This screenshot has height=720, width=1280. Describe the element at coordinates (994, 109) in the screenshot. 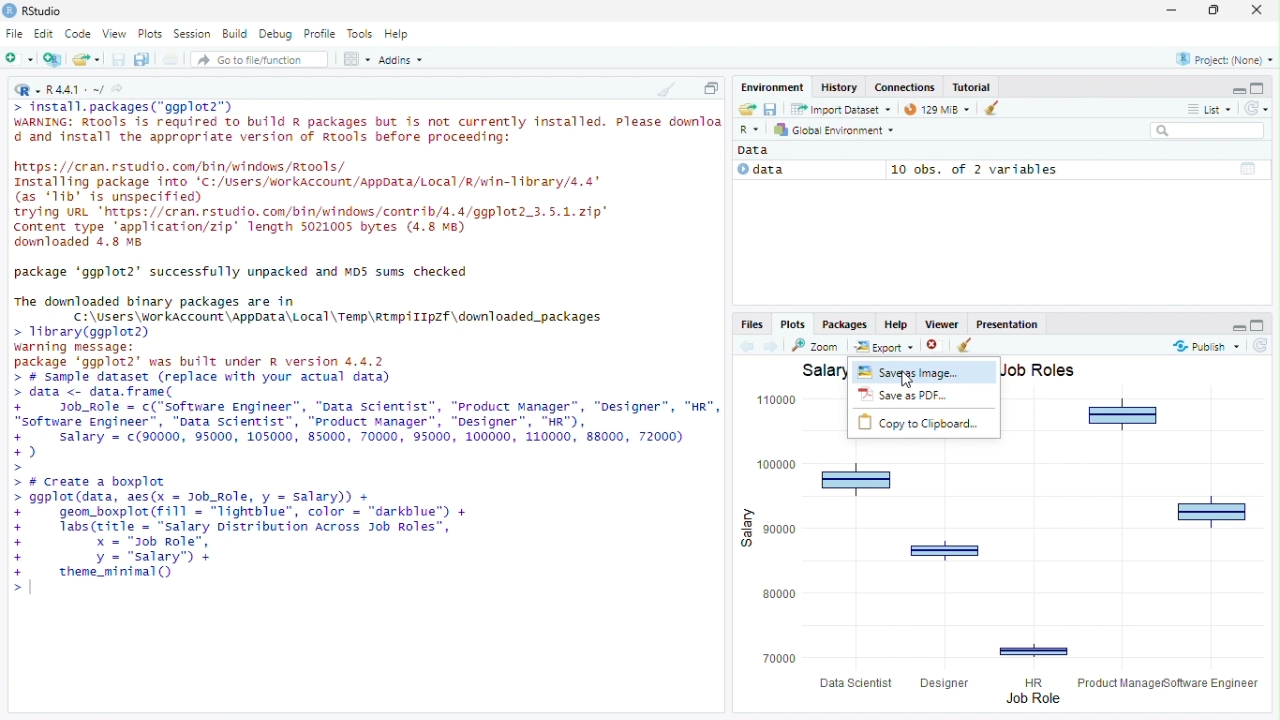

I see `Clear objects from the workspace` at that location.